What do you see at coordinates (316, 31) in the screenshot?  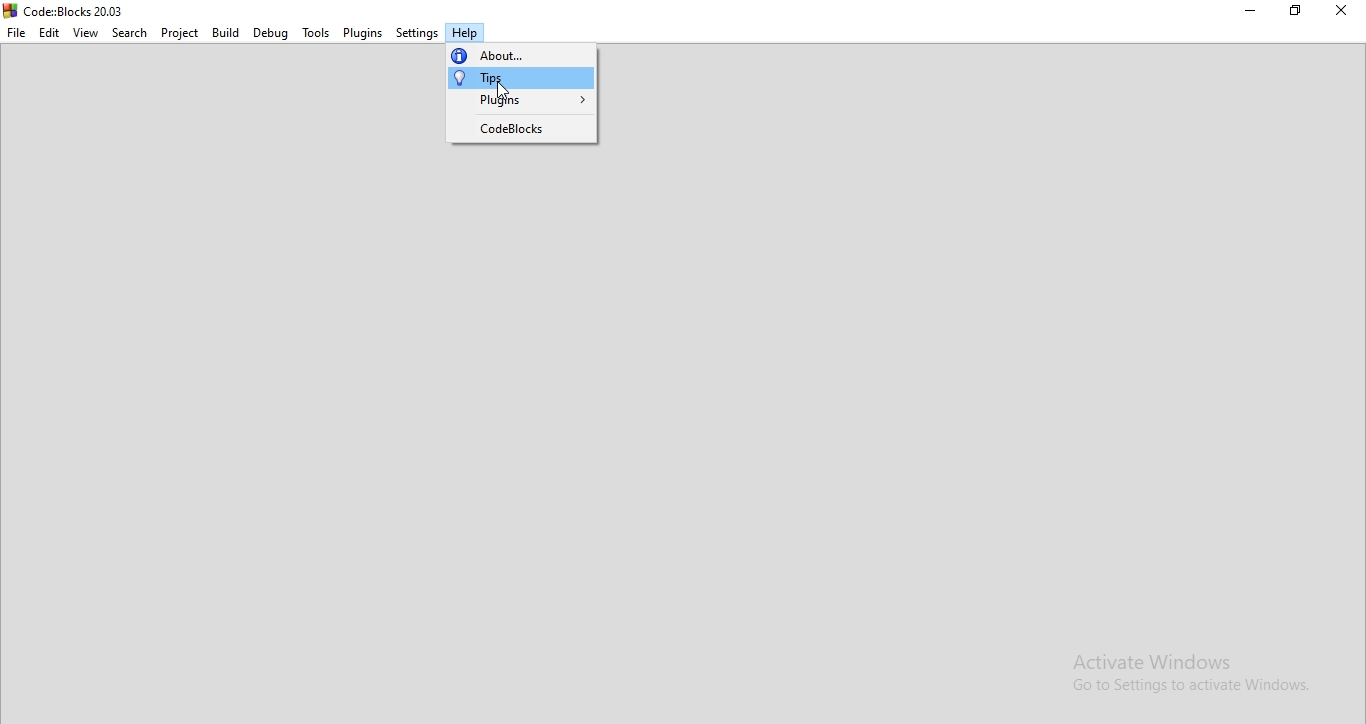 I see `Tools ` at bounding box center [316, 31].